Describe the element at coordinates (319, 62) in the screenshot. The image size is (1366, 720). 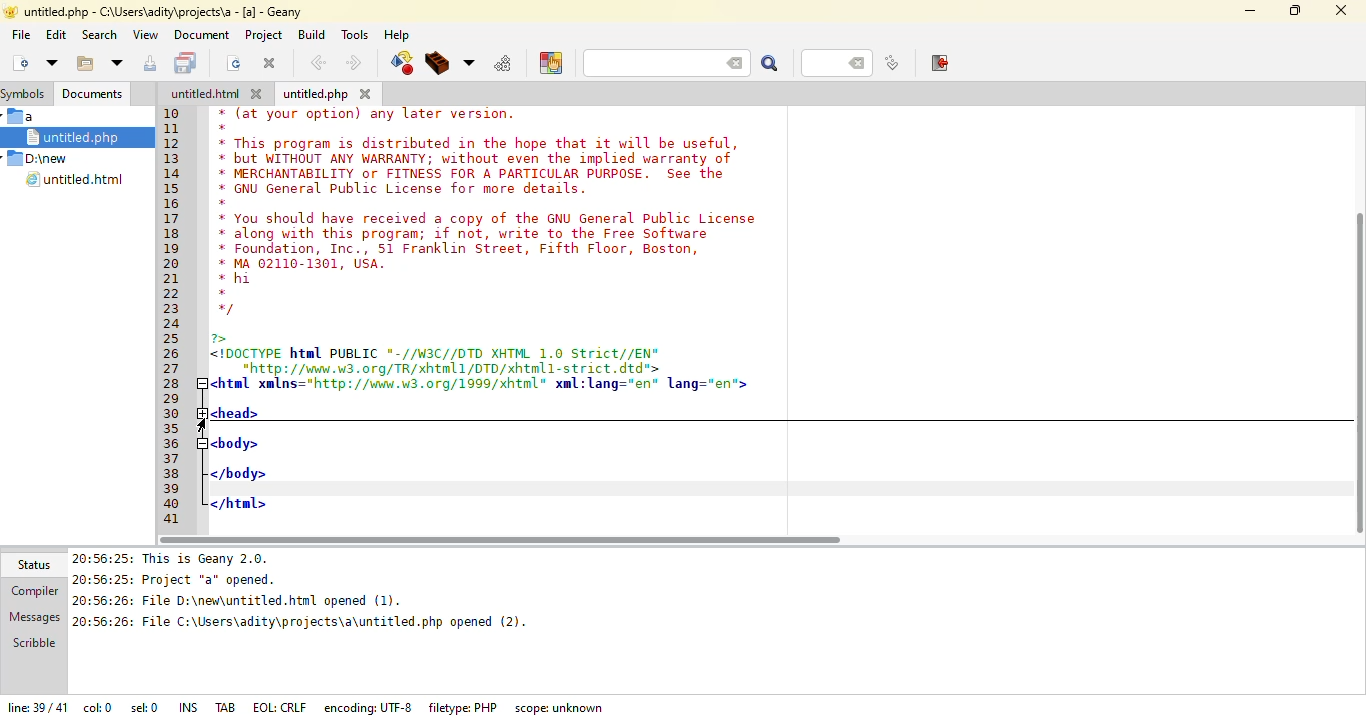
I see `back` at that location.